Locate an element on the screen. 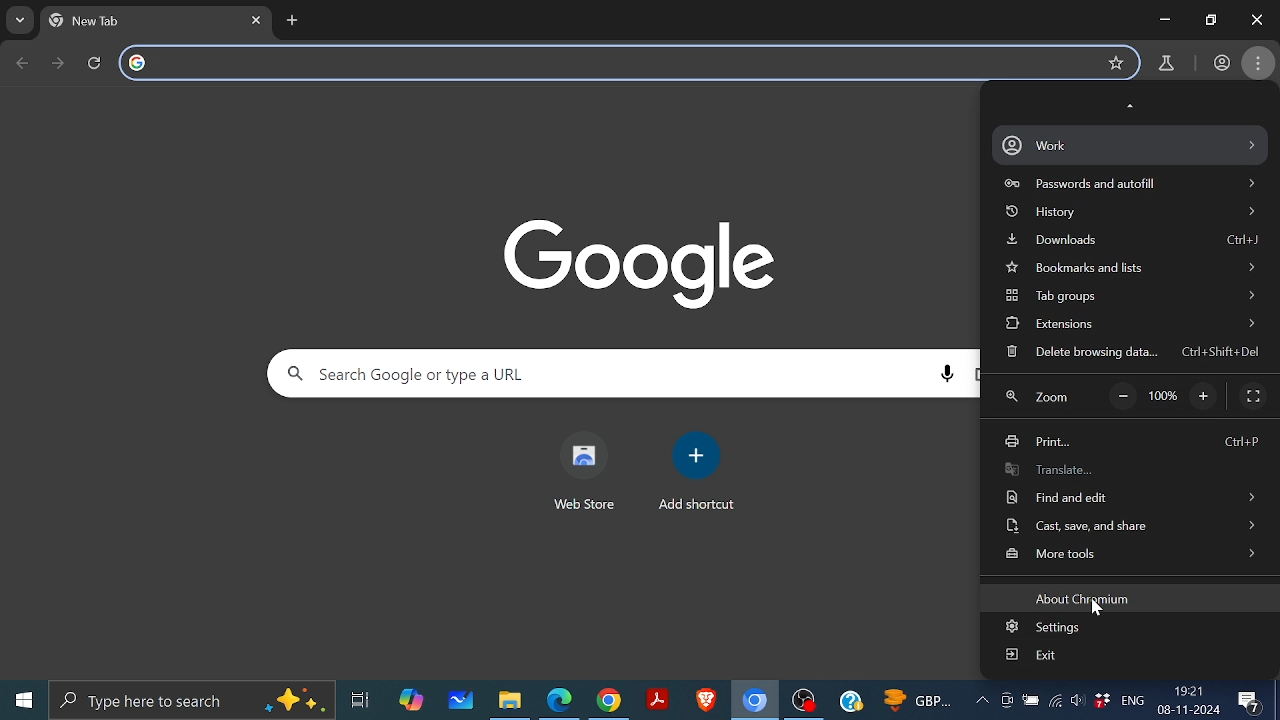 The image size is (1280, 720). Cast save and share is located at coordinates (1129, 523).